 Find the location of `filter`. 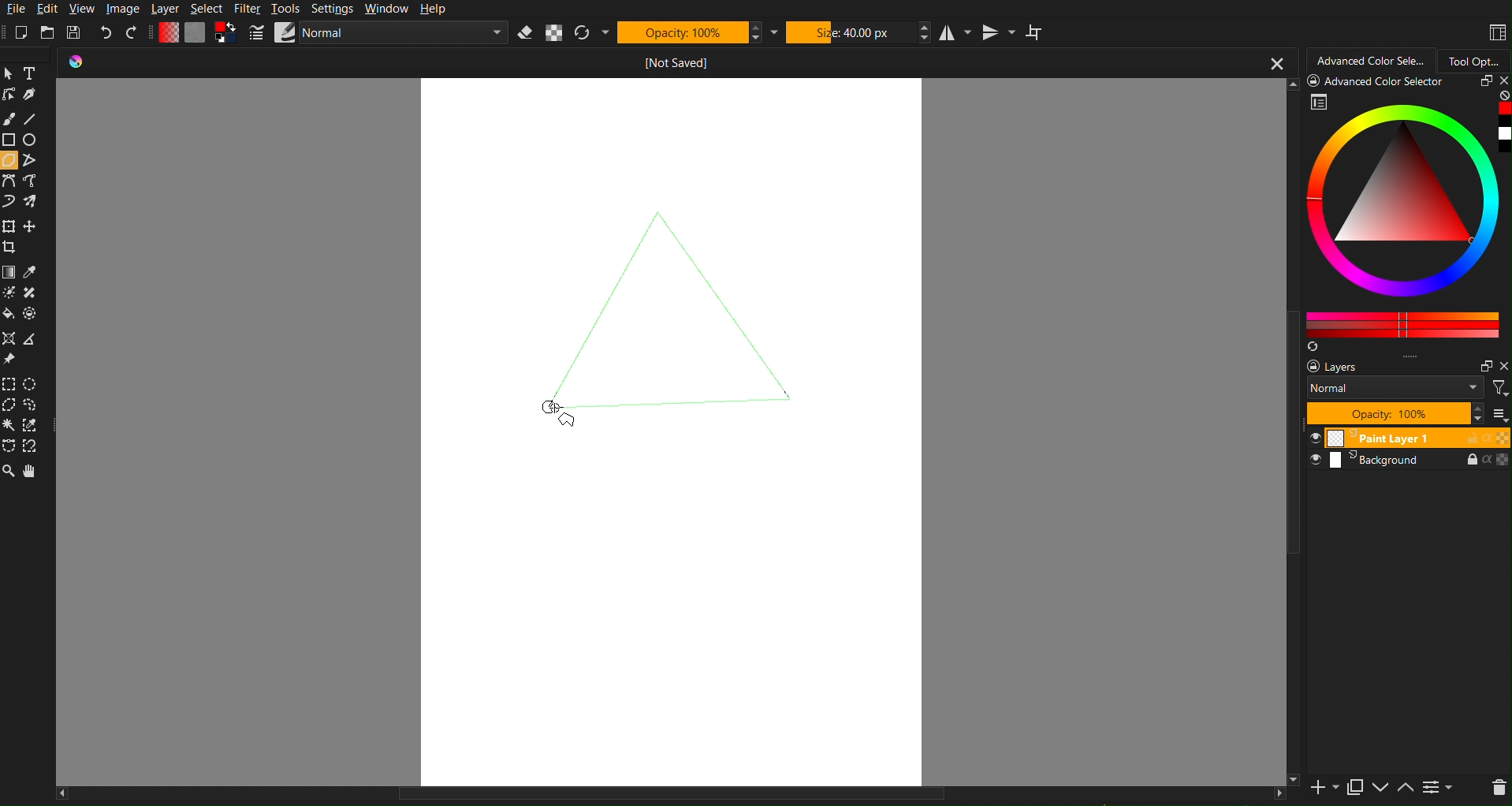

filter is located at coordinates (1500, 388).